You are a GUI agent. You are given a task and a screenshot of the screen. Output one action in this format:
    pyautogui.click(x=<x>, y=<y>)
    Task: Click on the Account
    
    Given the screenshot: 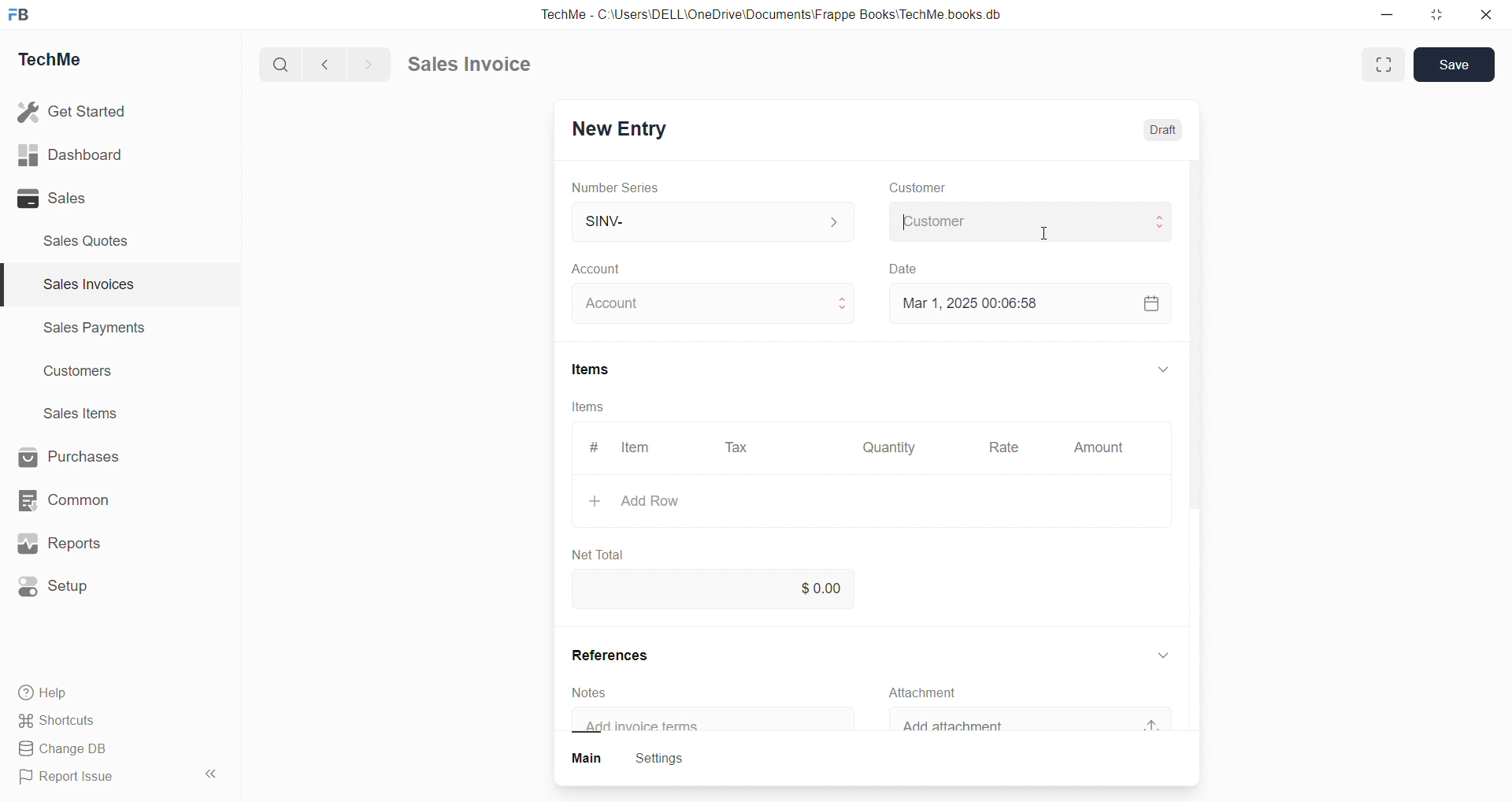 What is the action you would take?
    pyautogui.click(x=621, y=270)
    